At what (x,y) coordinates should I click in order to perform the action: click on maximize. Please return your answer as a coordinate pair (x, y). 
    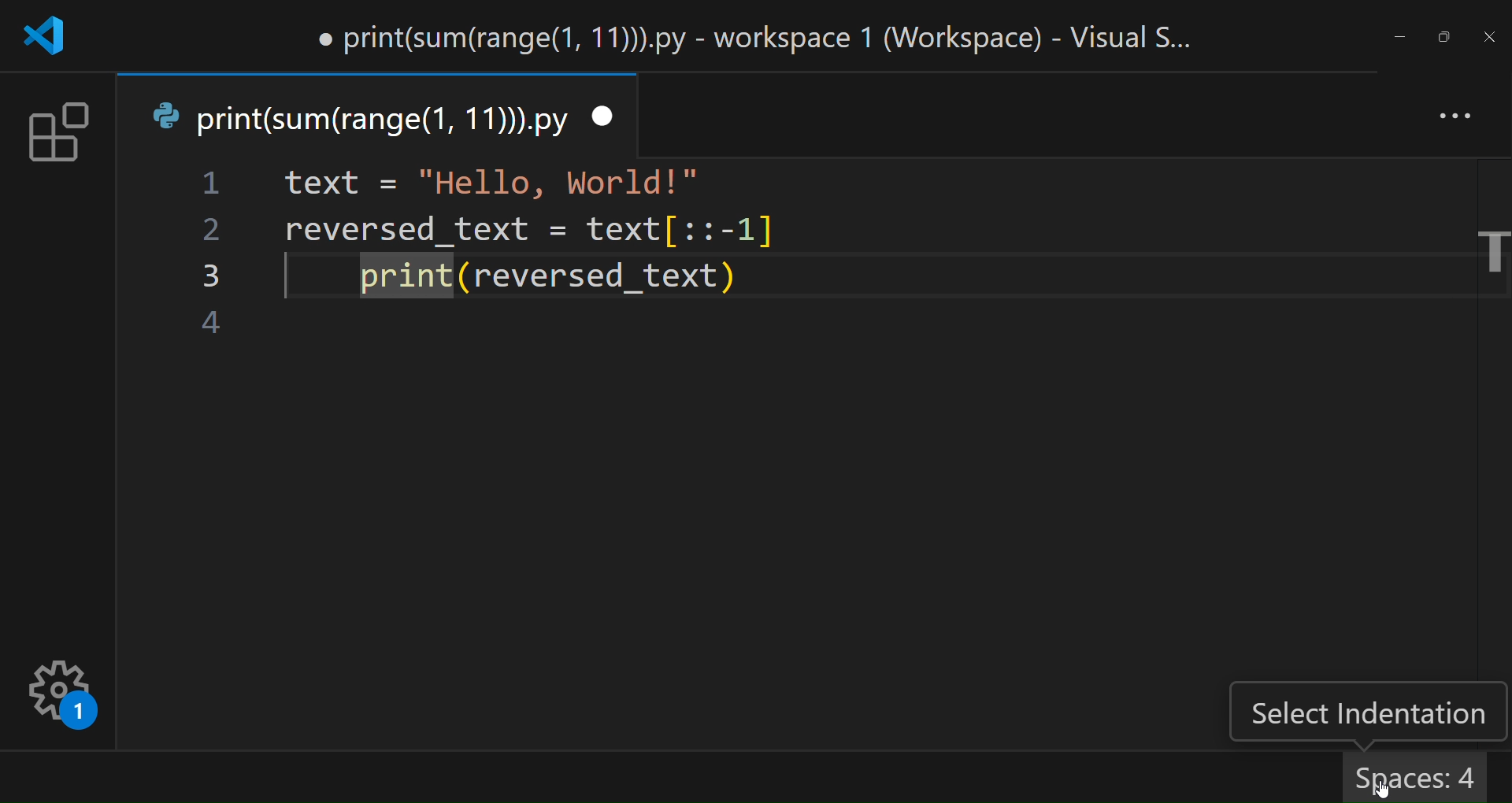
    Looking at the image, I should click on (1445, 37).